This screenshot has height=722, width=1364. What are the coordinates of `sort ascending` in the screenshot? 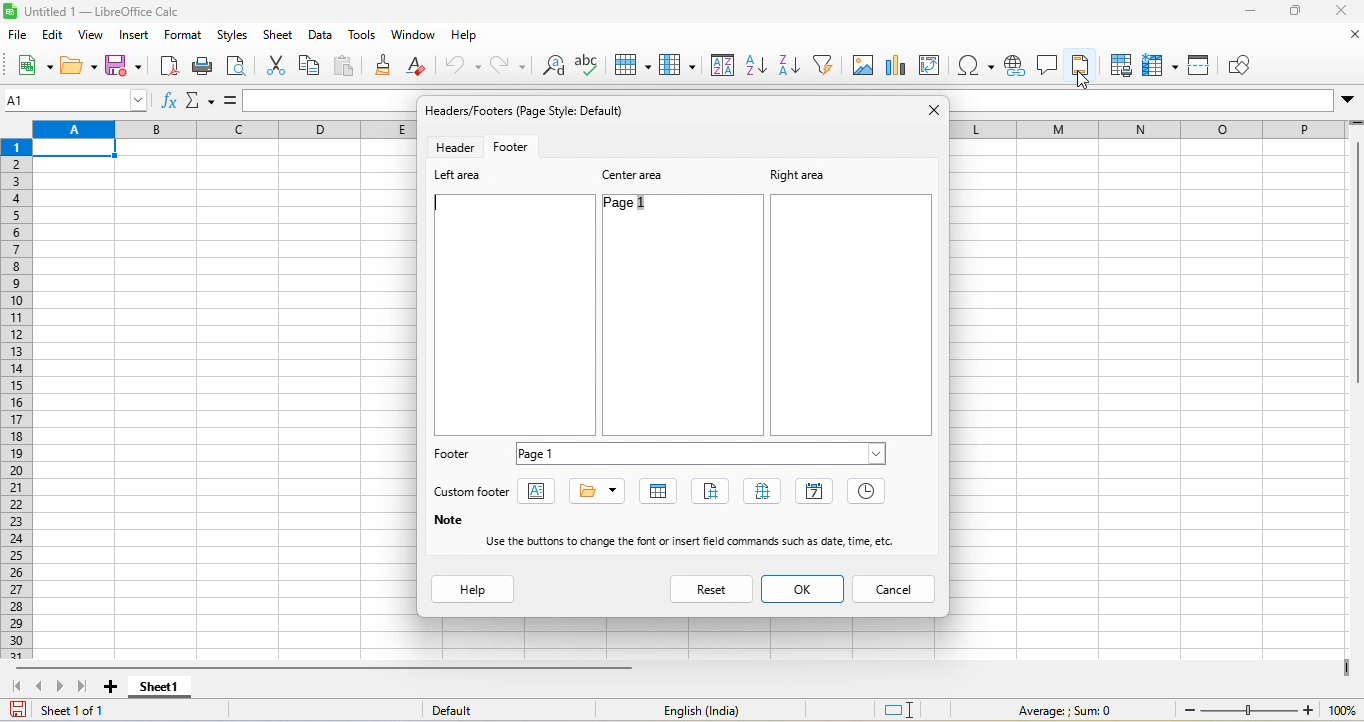 It's located at (757, 65).